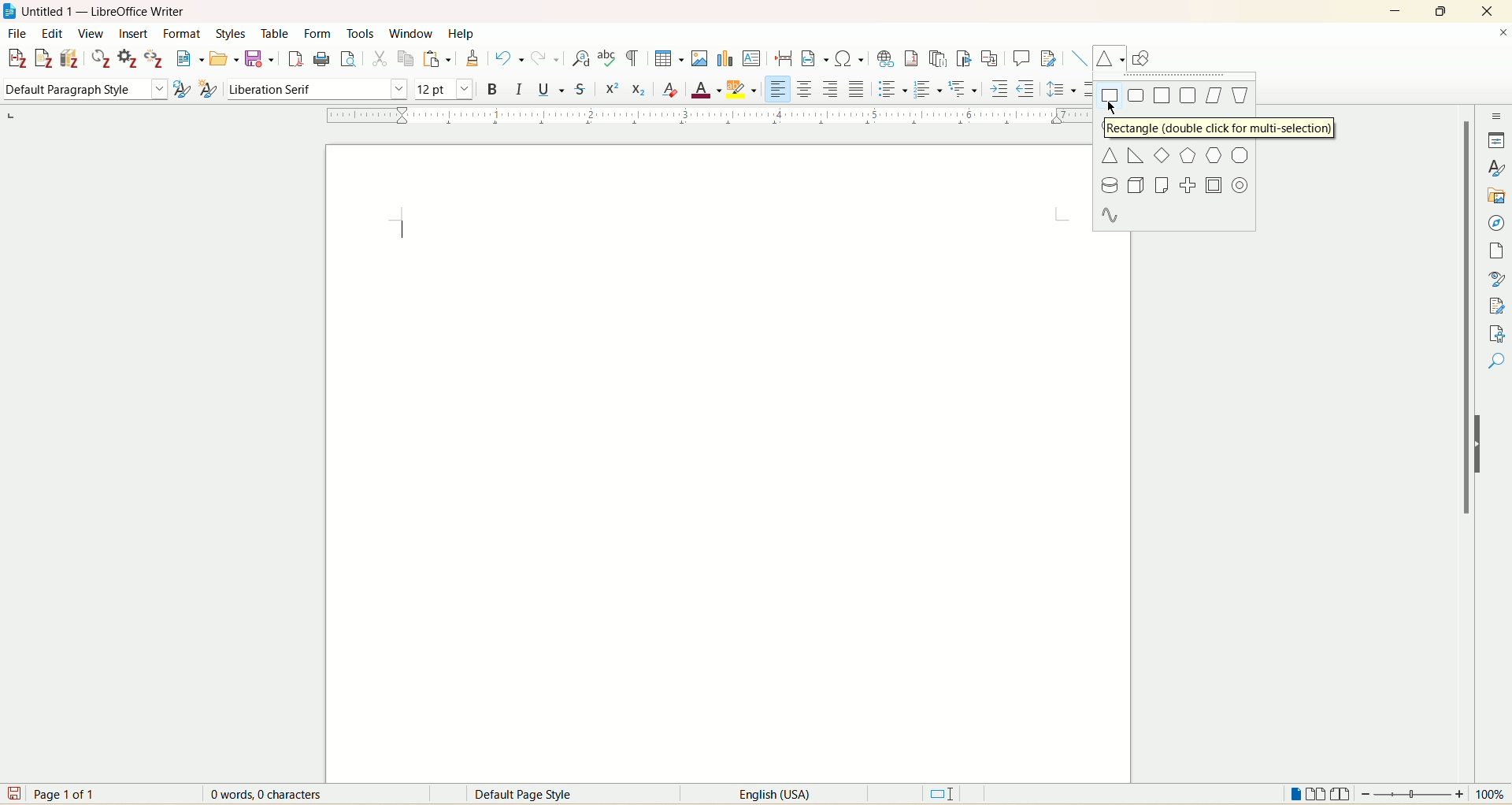  I want to click on trapezoid, so click(1239, 95).